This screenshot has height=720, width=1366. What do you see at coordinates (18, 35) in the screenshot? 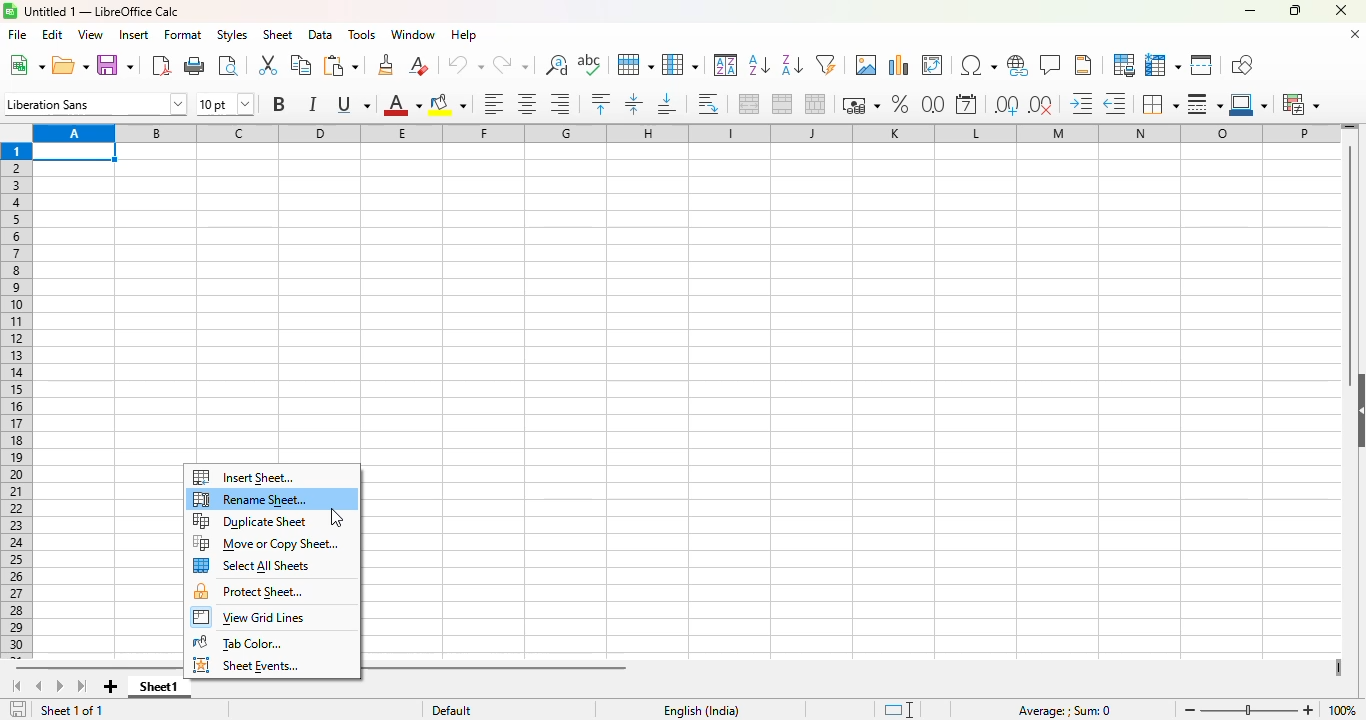
I see `file` at bounding box center [18, 35].